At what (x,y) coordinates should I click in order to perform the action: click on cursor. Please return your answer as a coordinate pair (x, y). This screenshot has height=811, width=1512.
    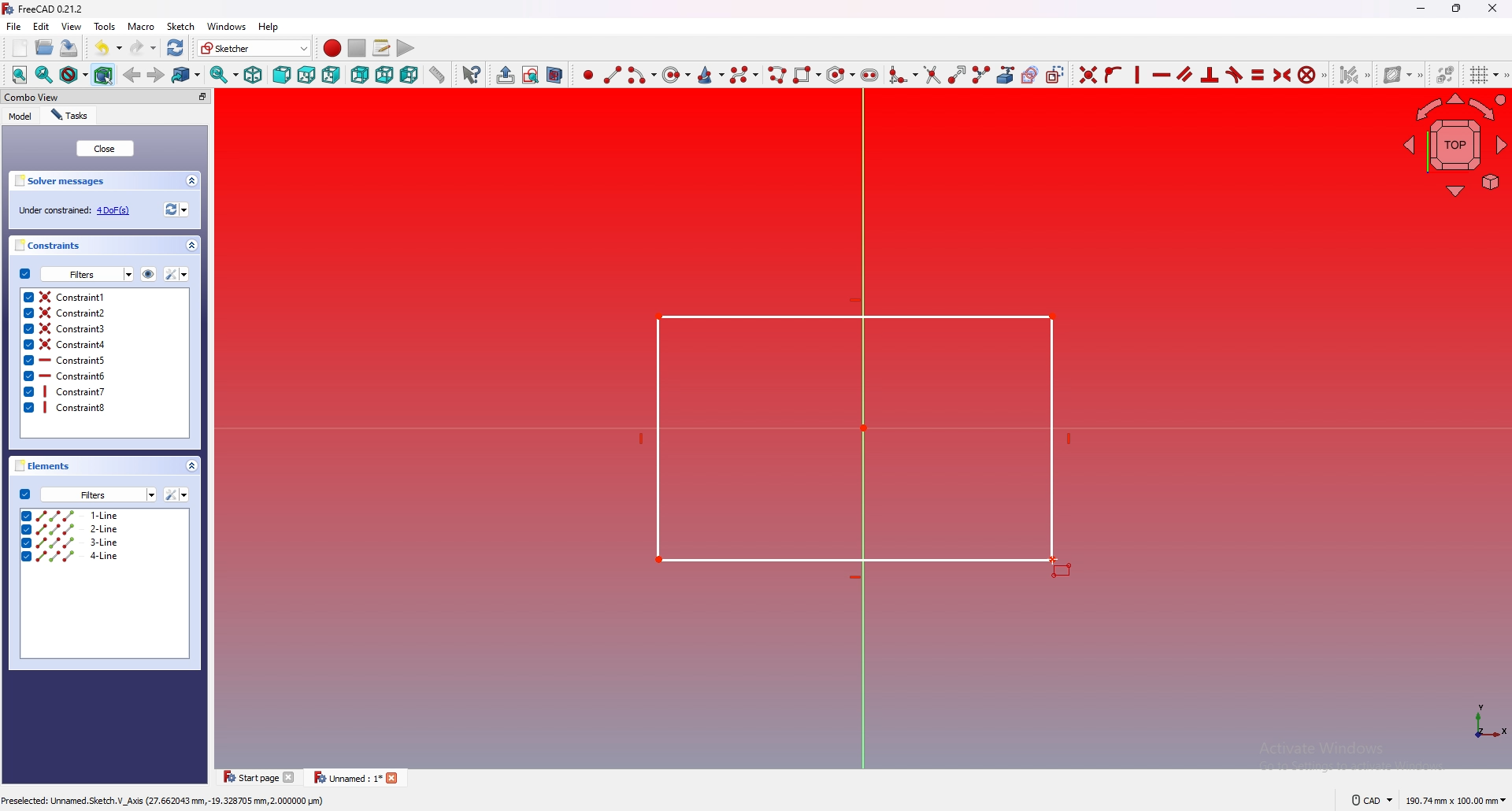
    Looking at the image, I should click on (1064, 562).